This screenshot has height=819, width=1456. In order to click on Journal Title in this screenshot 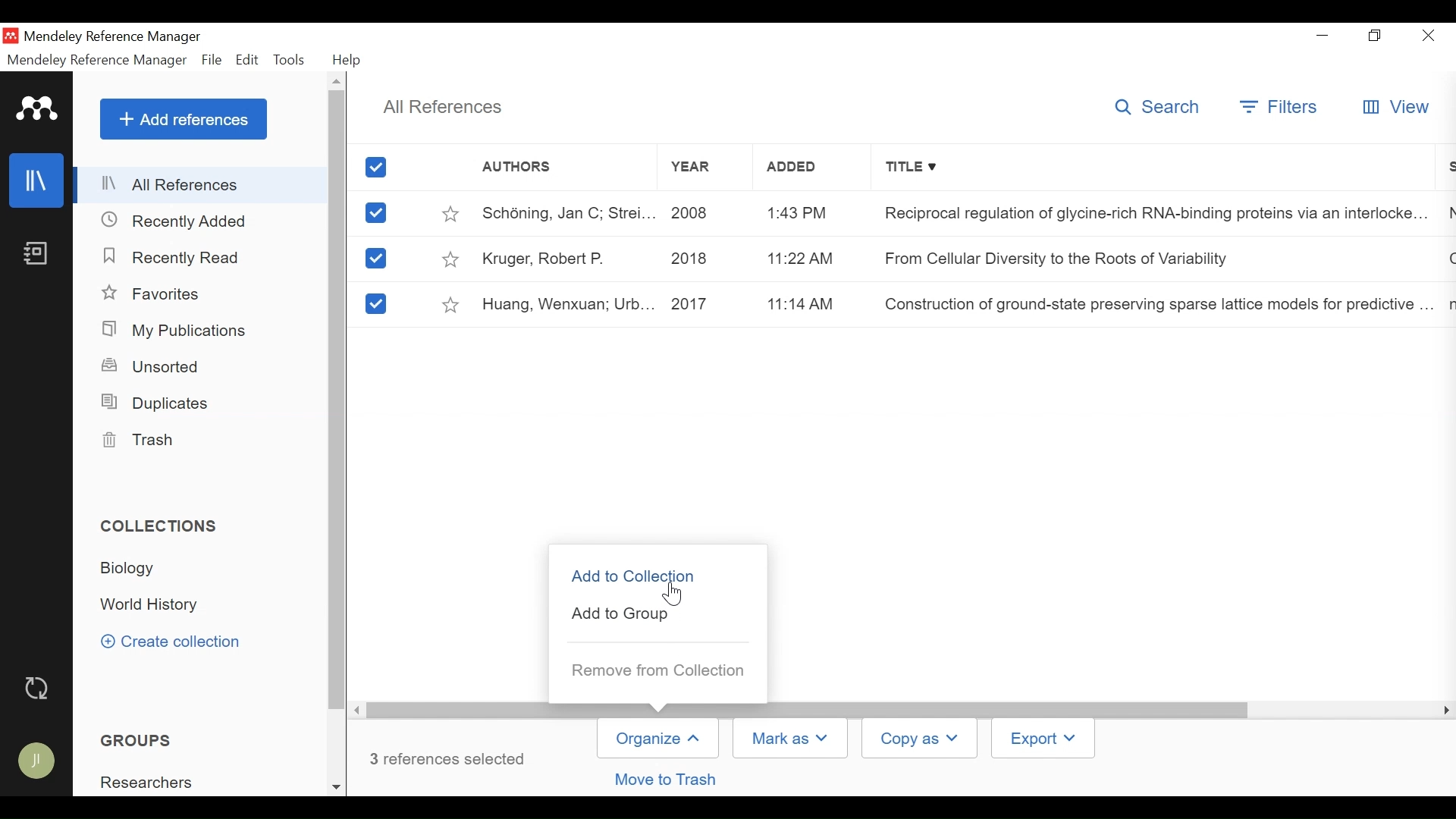, I will do `click(1150, 304)`.